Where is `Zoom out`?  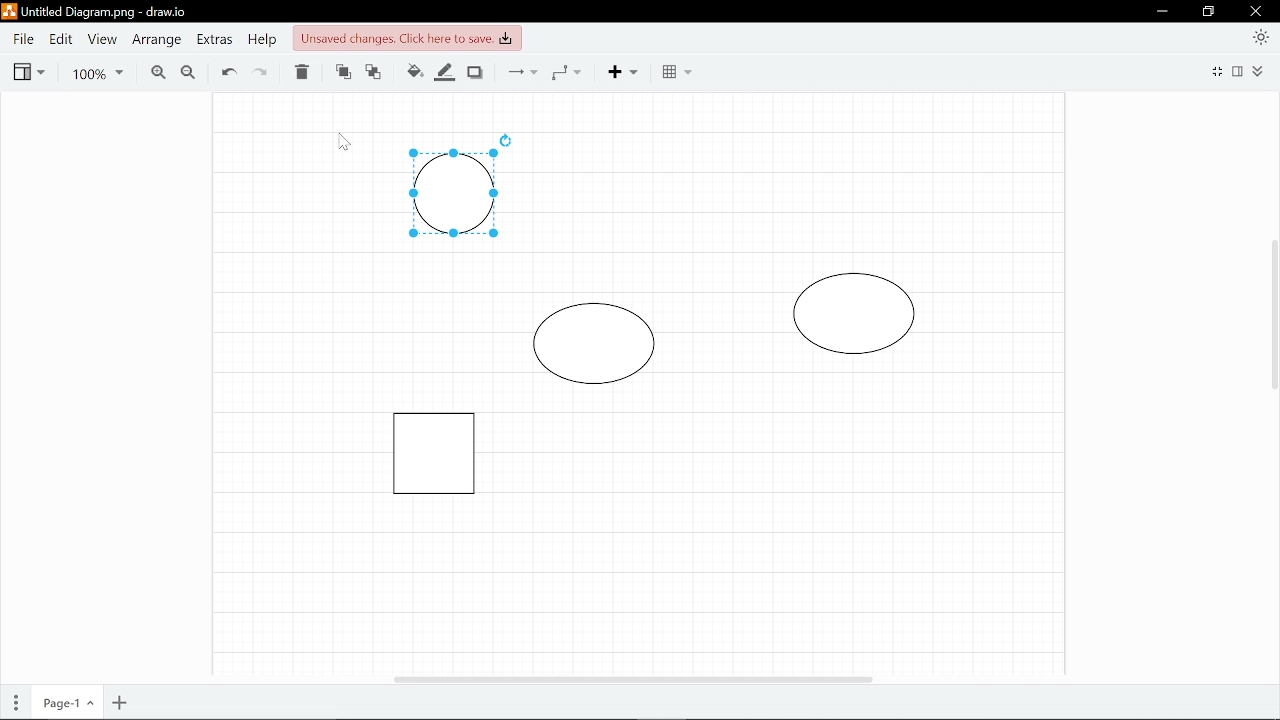
Zoom out is located at coordinates (187, 71).